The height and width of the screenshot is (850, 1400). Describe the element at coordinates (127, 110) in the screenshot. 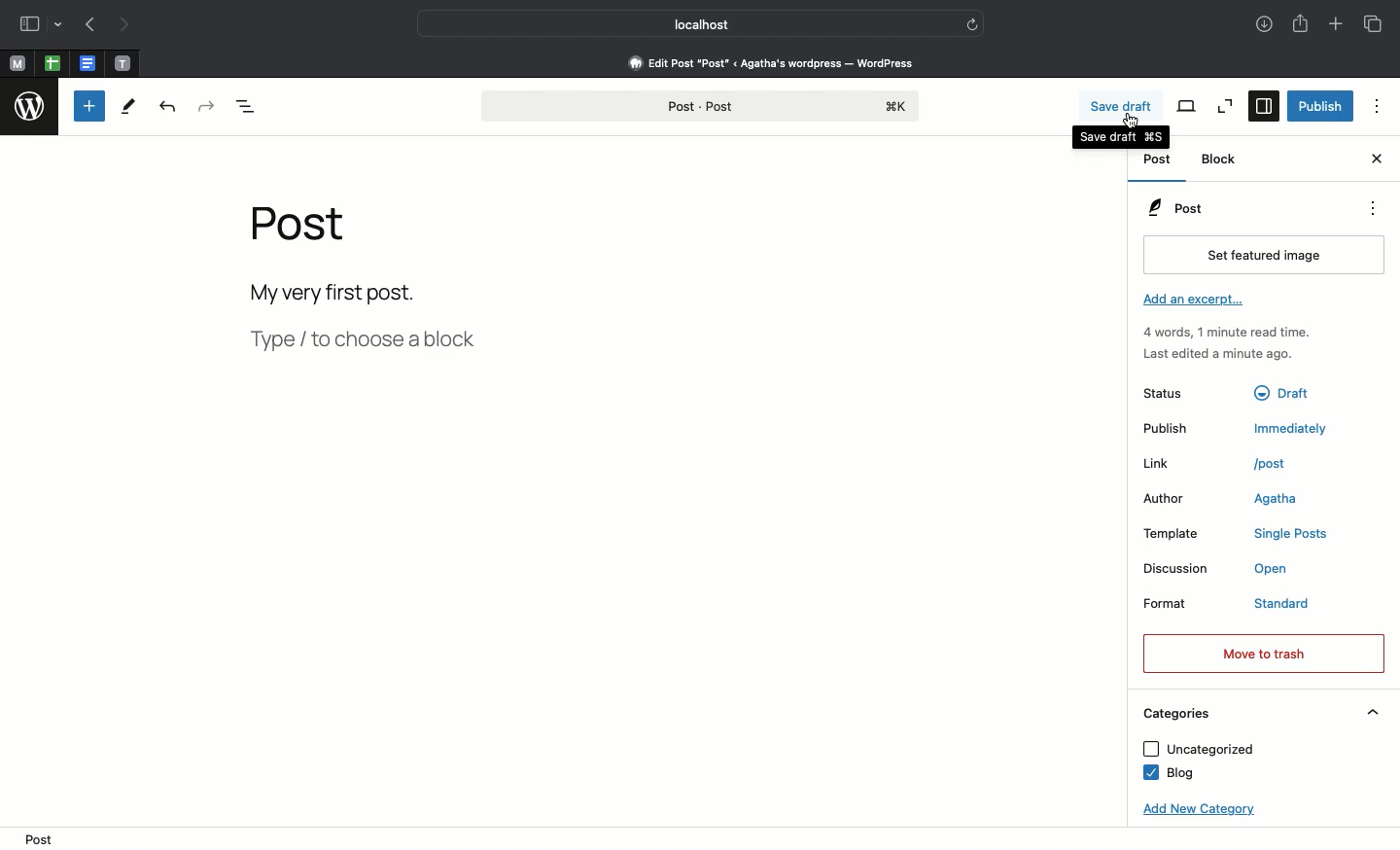

I see `Tools` at that location.